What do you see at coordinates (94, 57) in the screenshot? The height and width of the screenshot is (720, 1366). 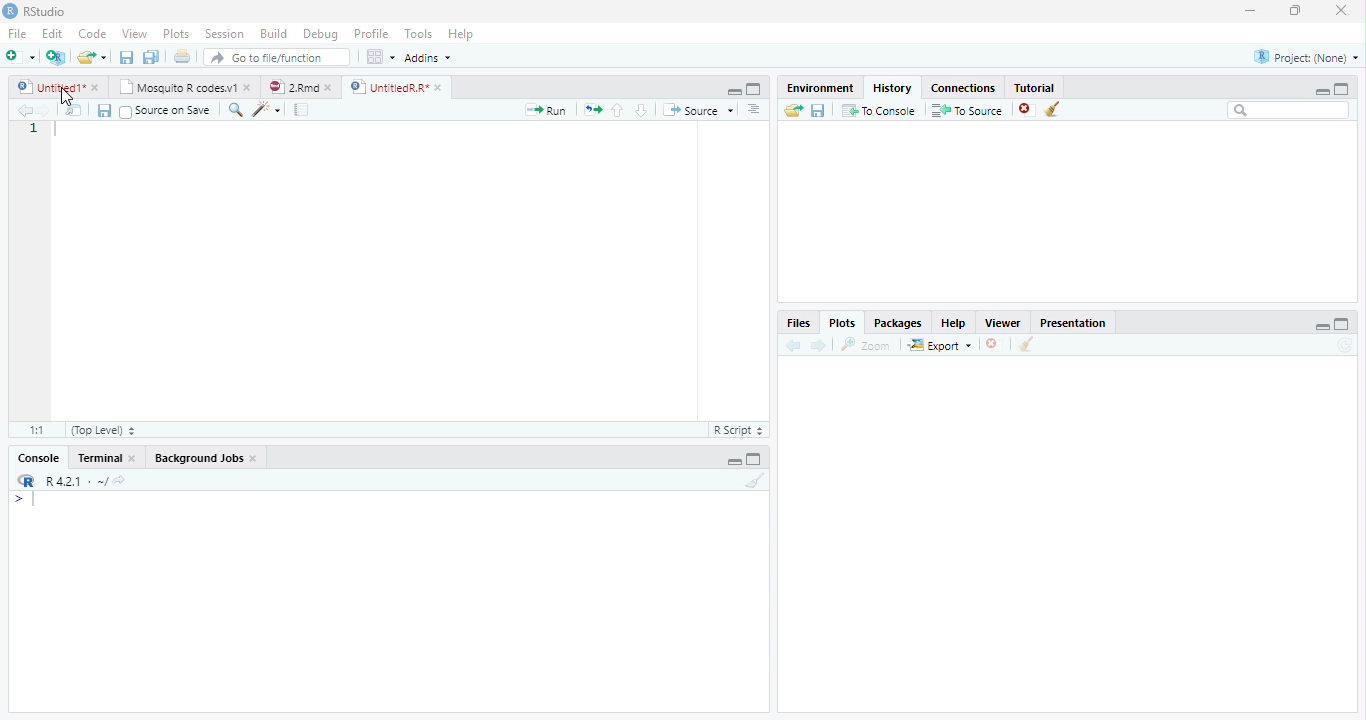 I see `Open an existing file` at bounding box center [94, 57].